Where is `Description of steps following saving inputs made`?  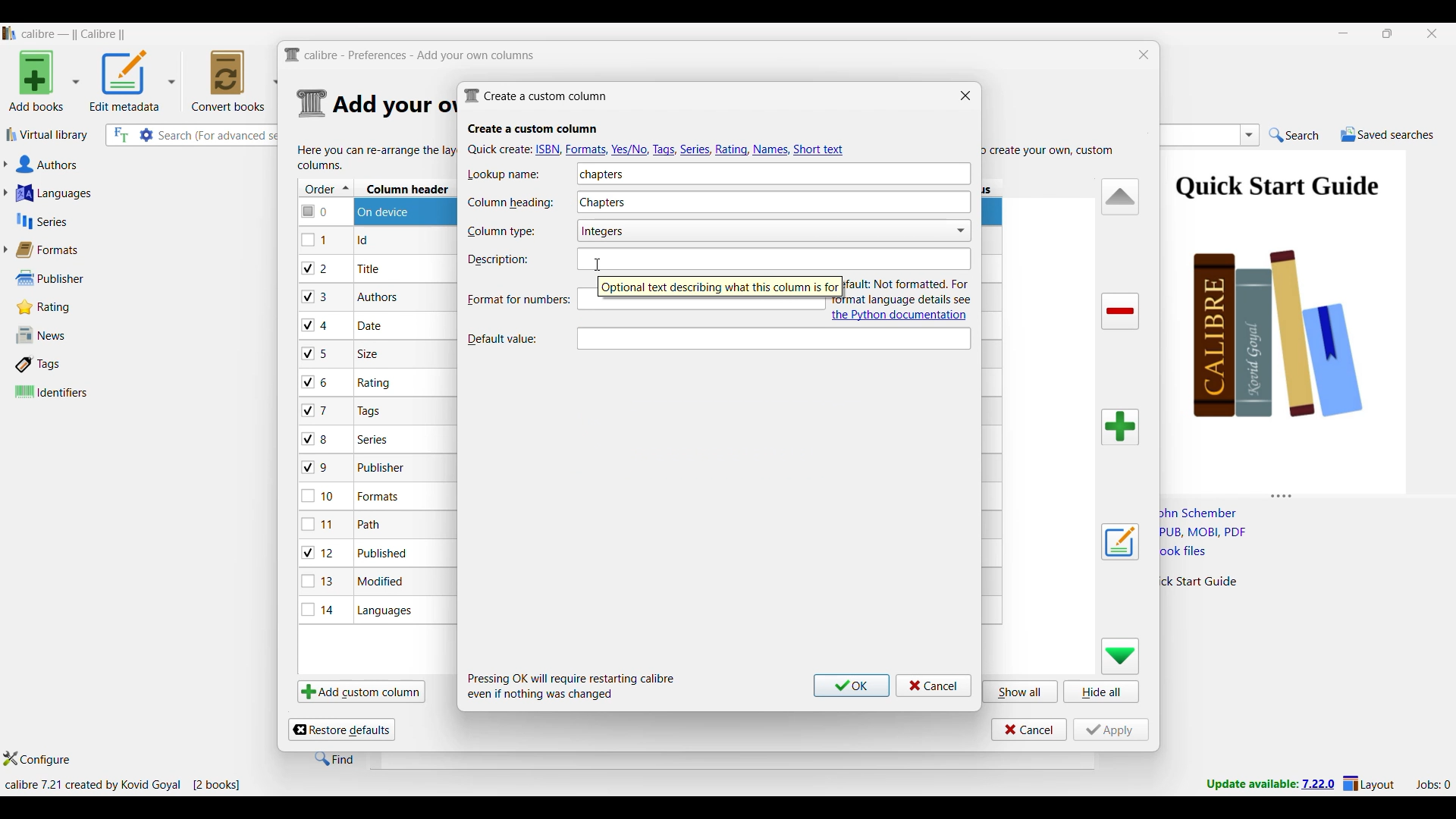
Description of steps following saving inputs made is located at coordinates (572, 686).